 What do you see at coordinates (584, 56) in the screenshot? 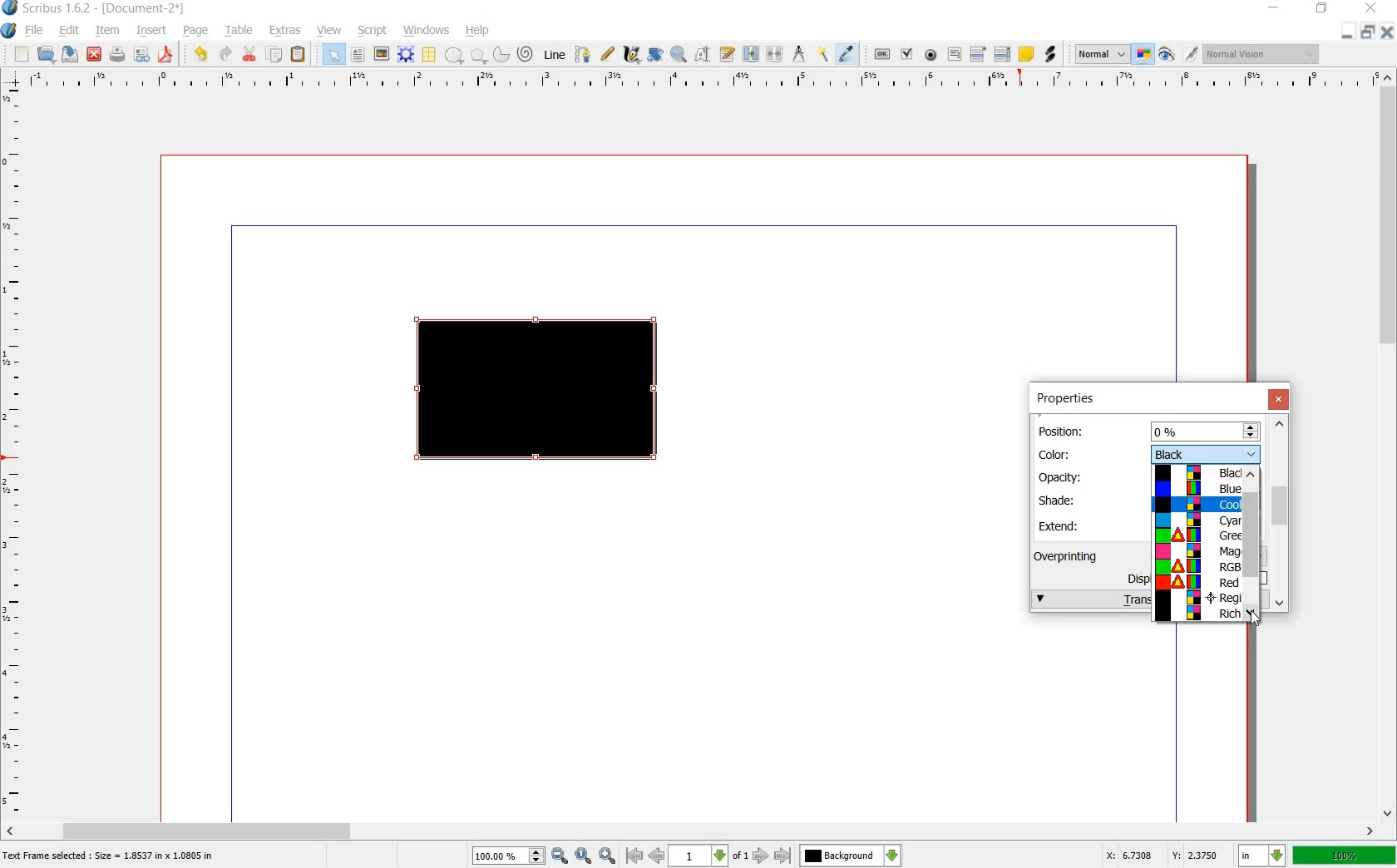
I see `bezier curve` at bounding box center [584, 56].